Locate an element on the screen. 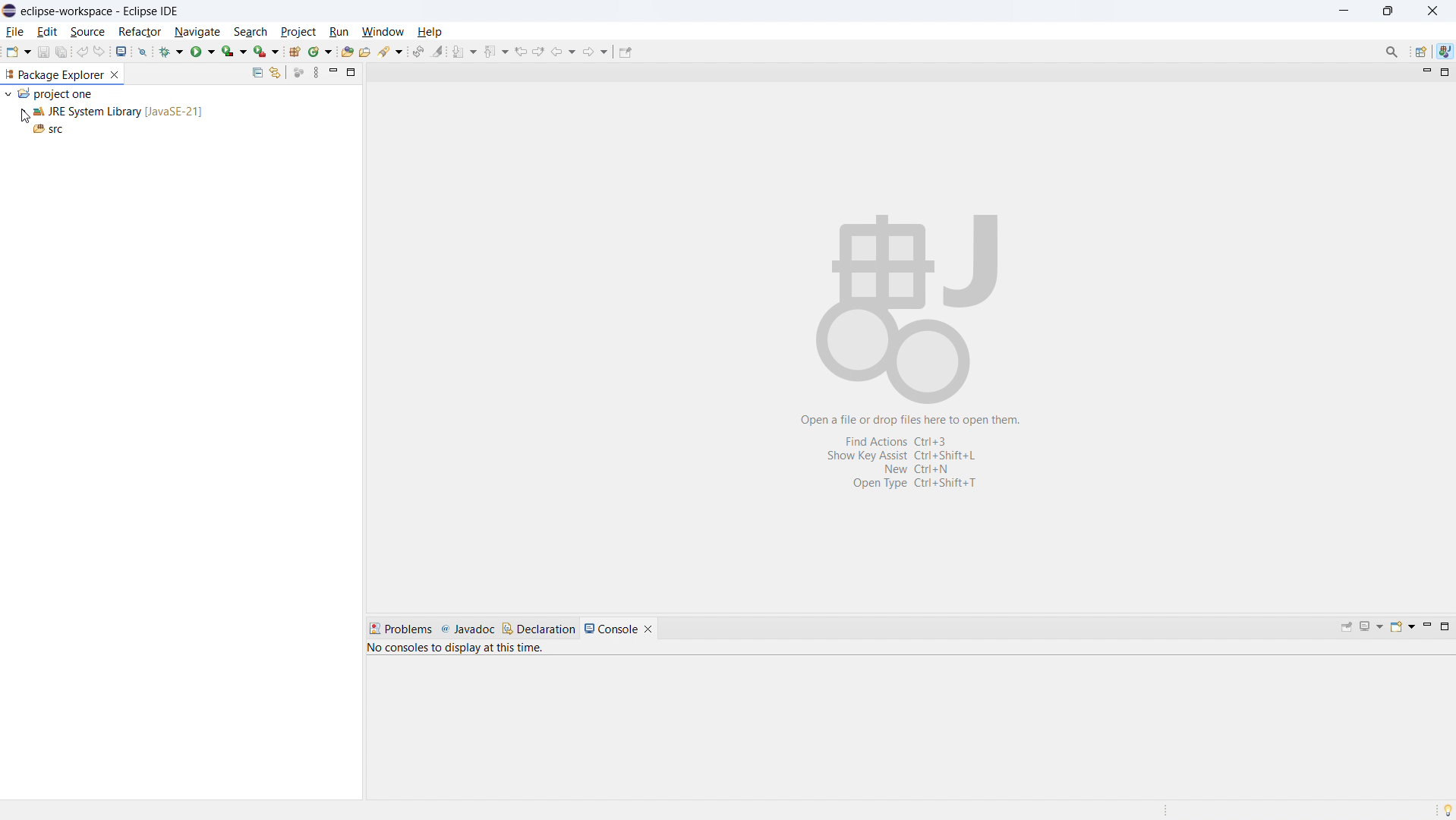  minimize is located at coordinates (1423, 71).